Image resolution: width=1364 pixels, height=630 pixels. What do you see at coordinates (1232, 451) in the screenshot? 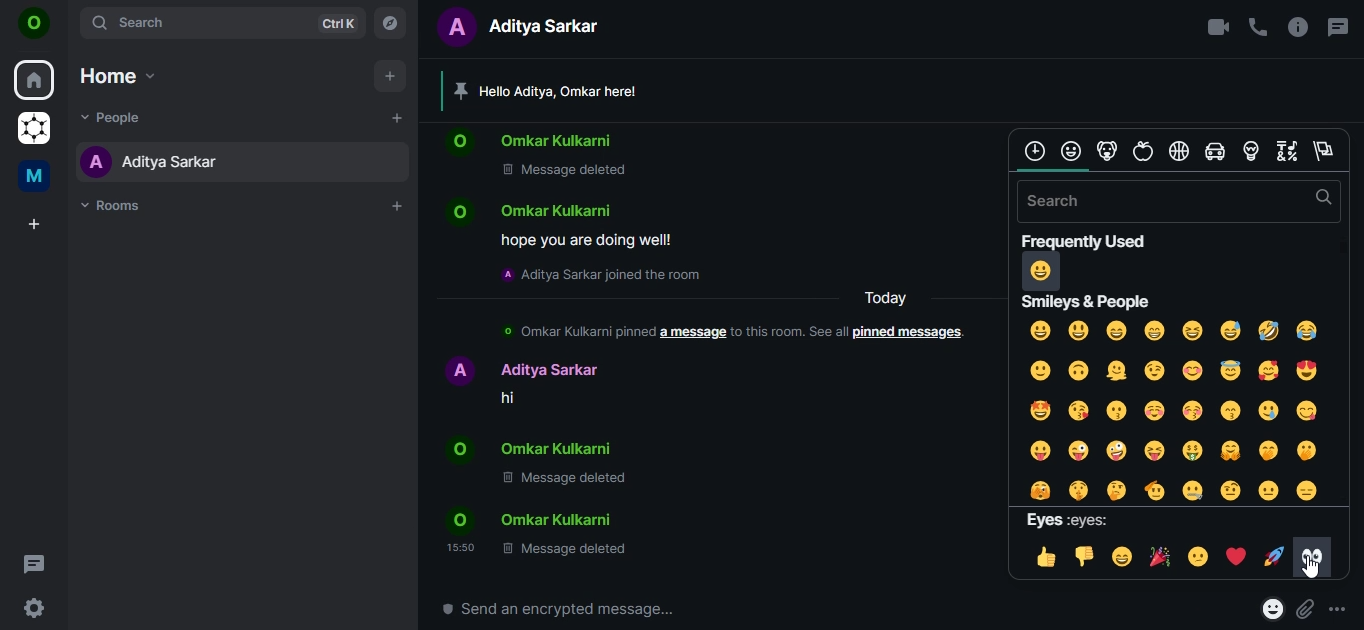
I see `face with open hands` at bounding box center [1232, 451].